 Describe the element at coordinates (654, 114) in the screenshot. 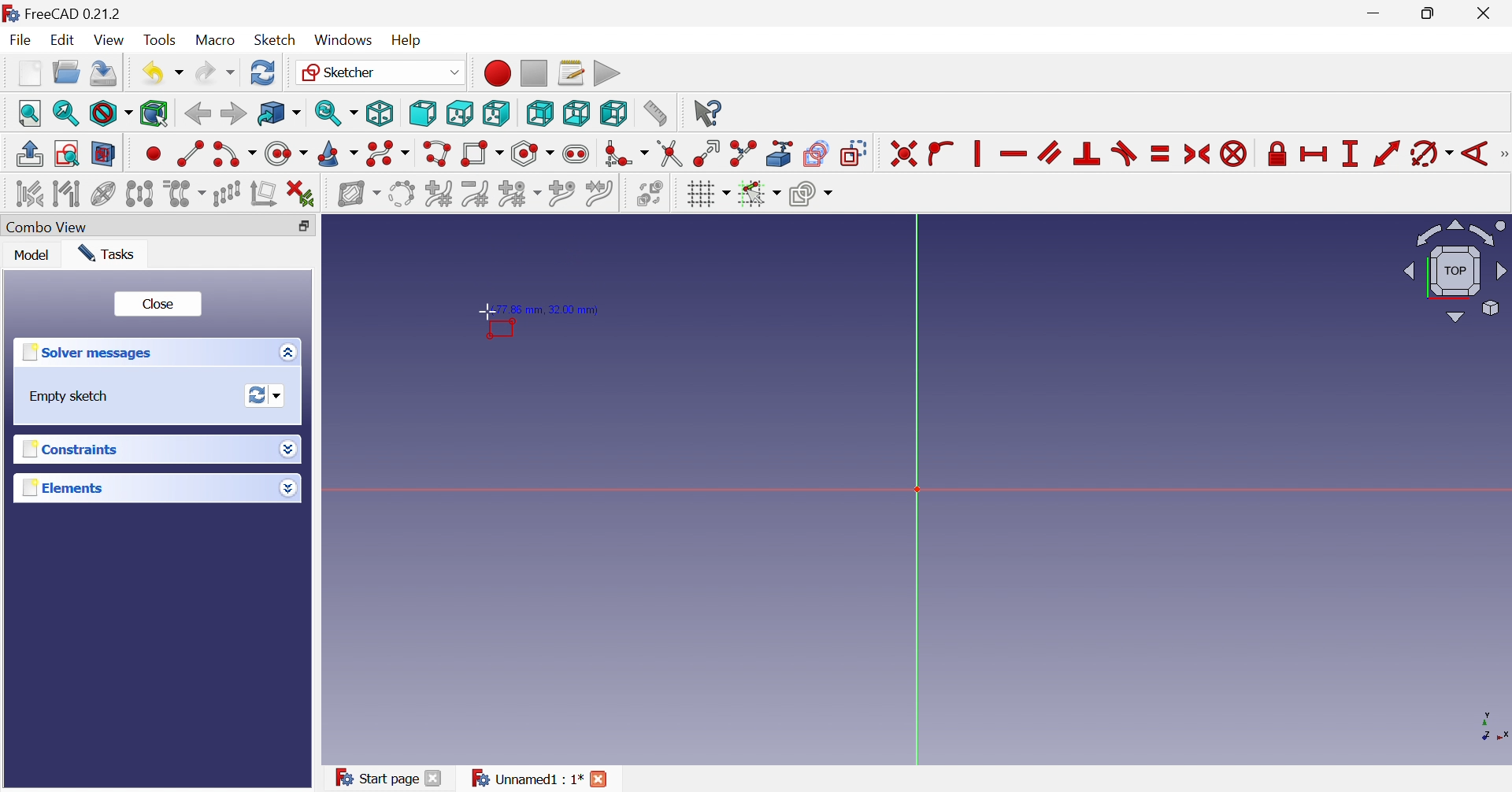

I see `Measure distance` at that location.